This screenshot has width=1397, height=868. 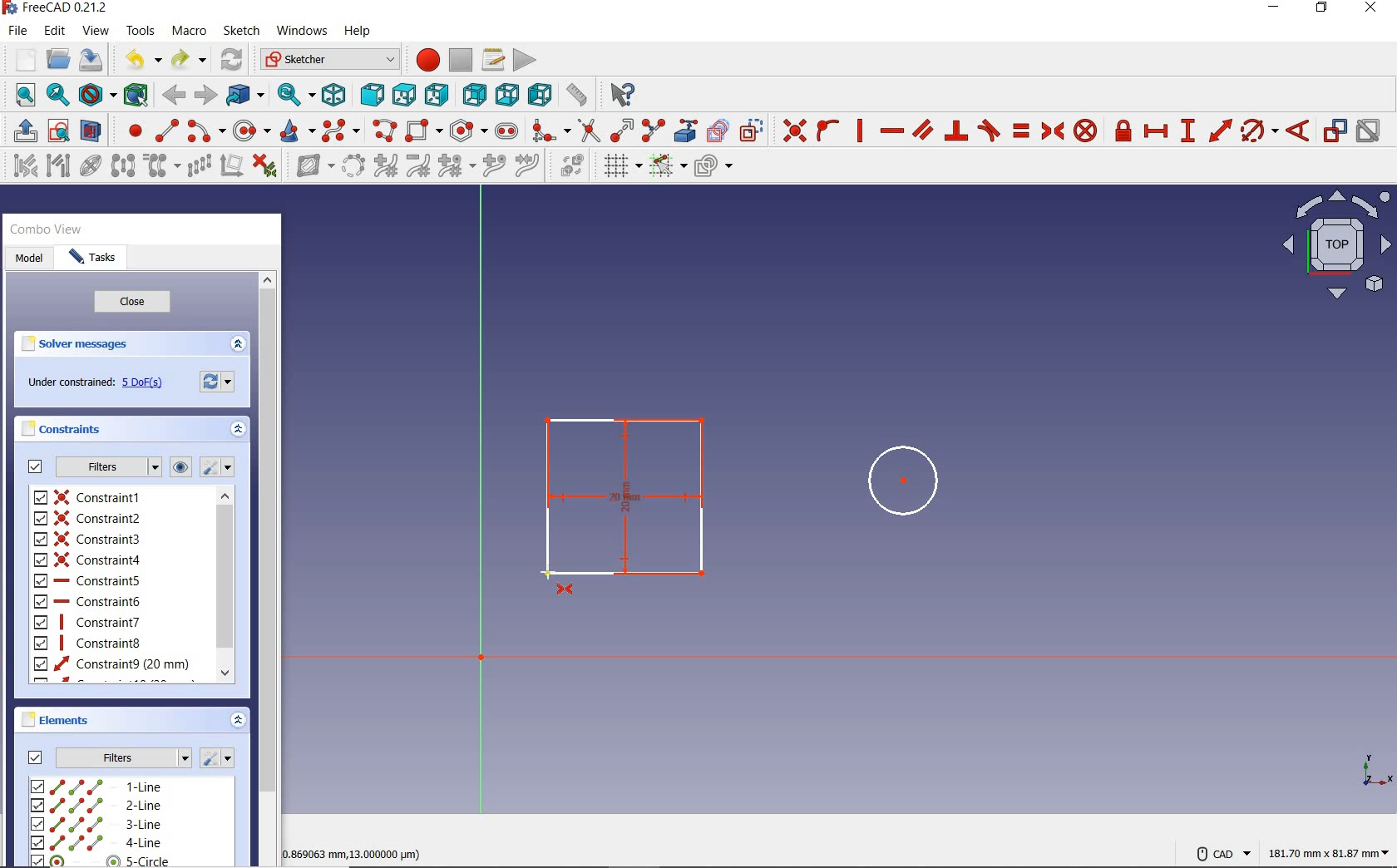 What do you see at coordinates (893, 481) in the screenshot?
I see `circle` at bounding box center [893, 481].